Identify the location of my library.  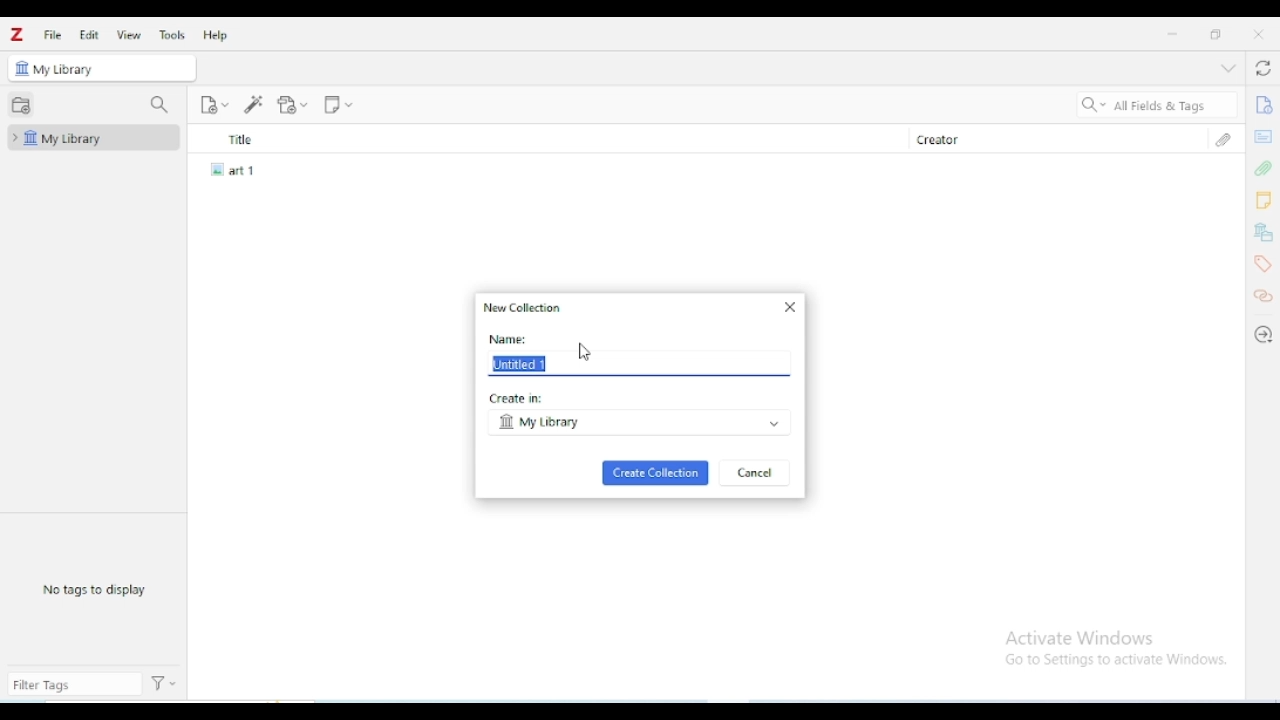
(113, 67).